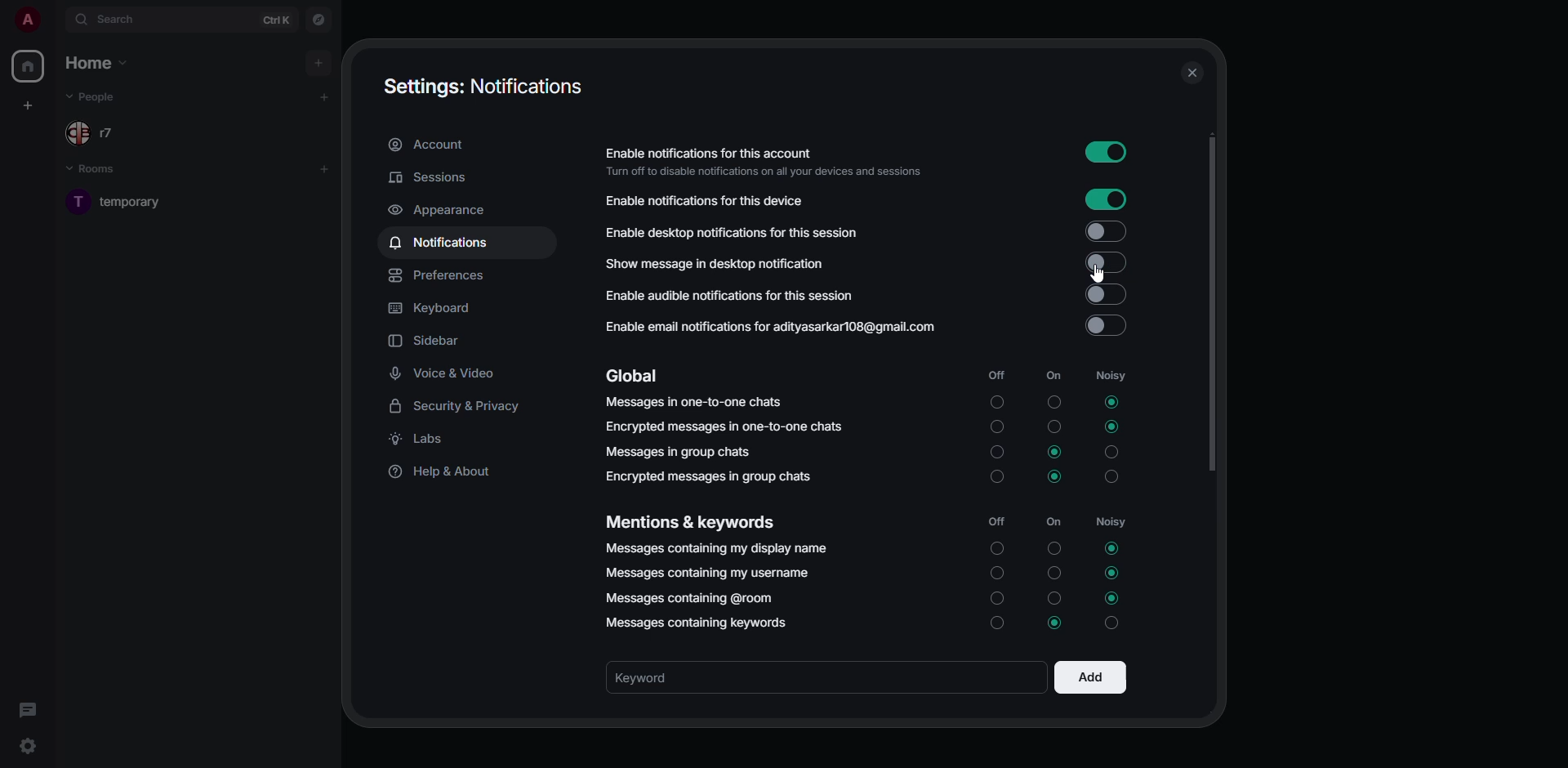 The height and width of the screenshot is (768, 1568). Describe the element at coordinates (1054, 549) in the screenshot. I see `On Unselected` at that location.